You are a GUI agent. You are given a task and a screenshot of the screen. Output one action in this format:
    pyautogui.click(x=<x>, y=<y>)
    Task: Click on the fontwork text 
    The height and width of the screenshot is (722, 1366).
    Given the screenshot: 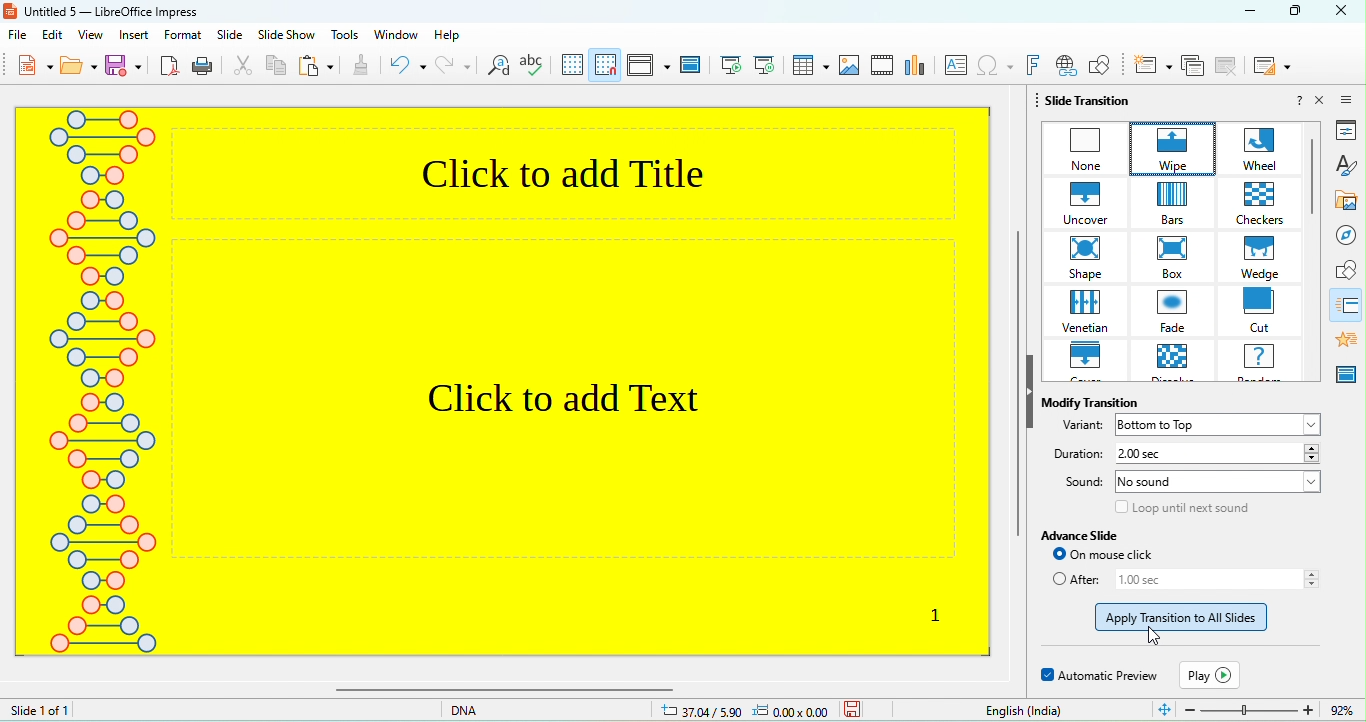 What is the action you would take?
    pyautogui.click(x=1034, y=67)
    